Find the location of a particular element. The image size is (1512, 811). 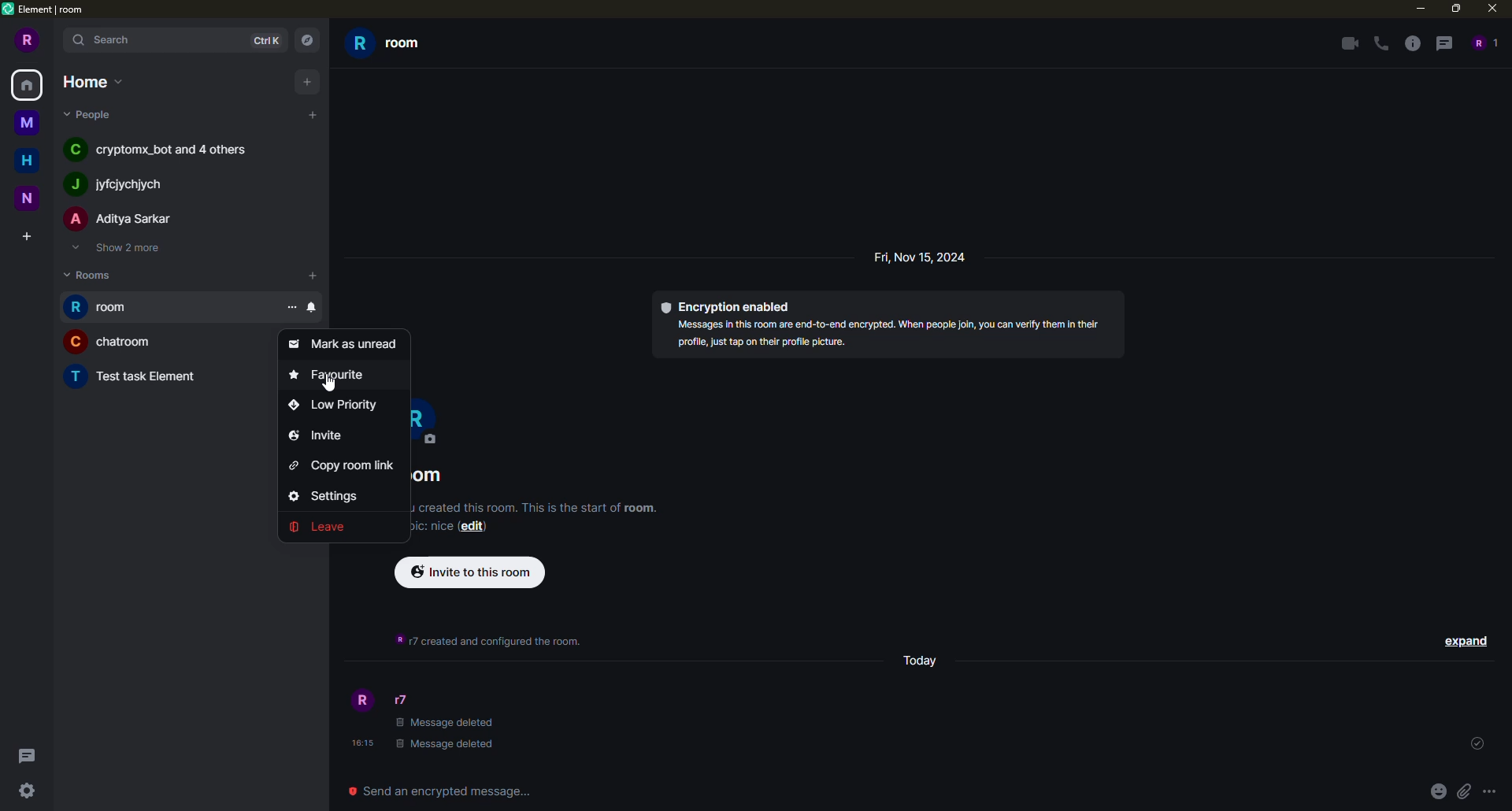

message deleted is located at coordinates (445, 720).